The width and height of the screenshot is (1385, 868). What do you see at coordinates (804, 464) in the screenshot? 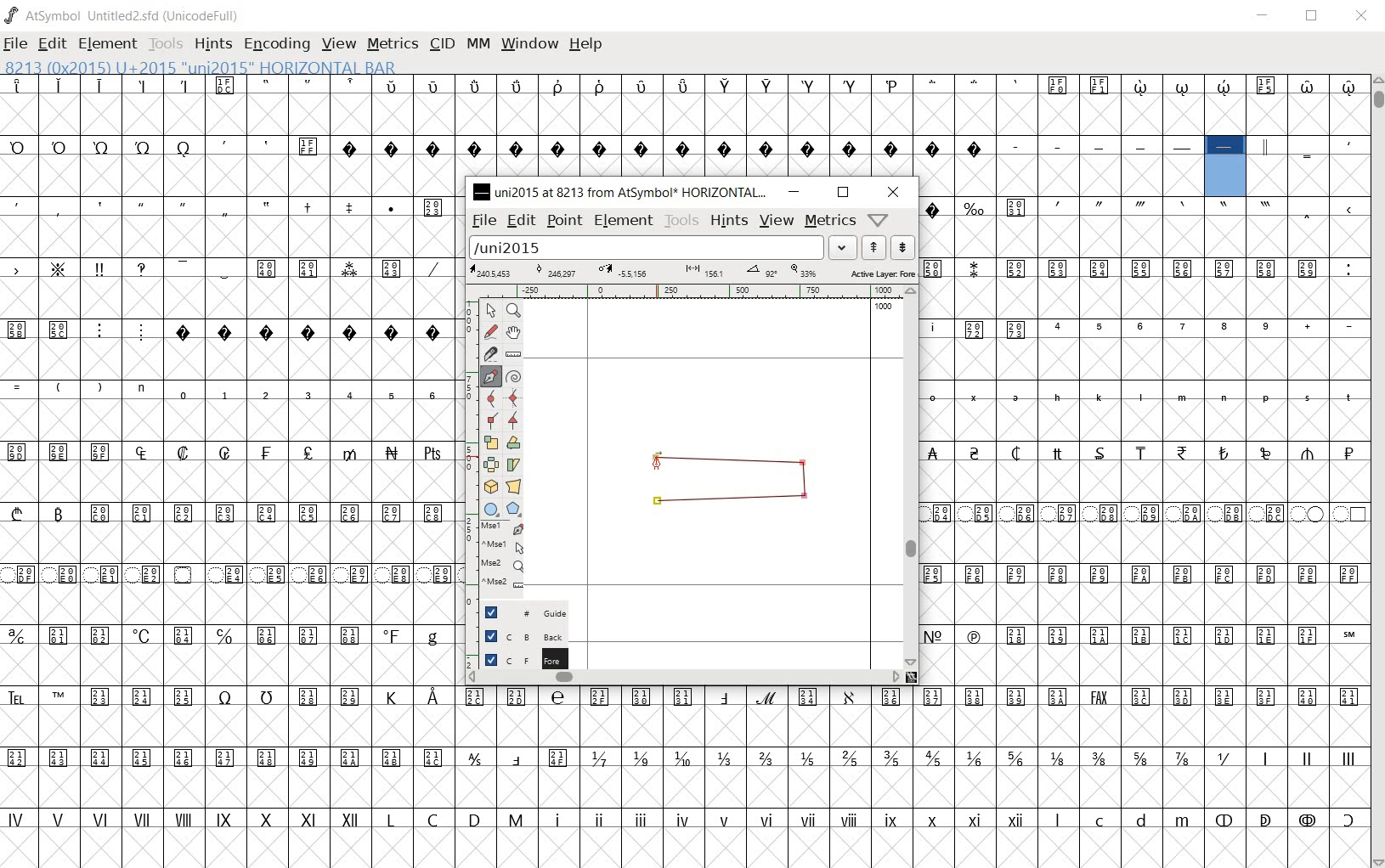
I see `added point` at bounding box center [804, 464].